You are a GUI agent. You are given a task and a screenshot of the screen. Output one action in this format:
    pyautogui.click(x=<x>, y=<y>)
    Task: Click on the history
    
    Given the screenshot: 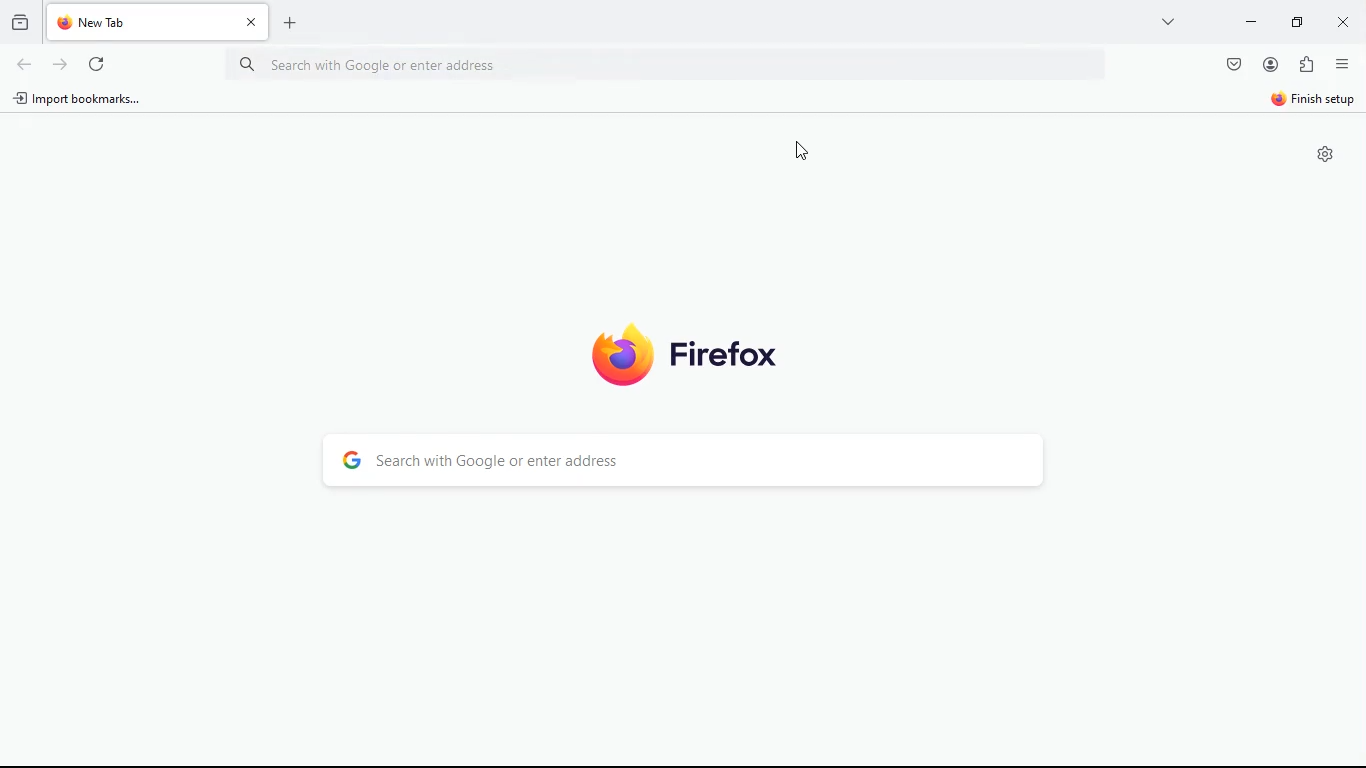 What is the action you would take?
    pyautogui.click(x=18, y=20)
    